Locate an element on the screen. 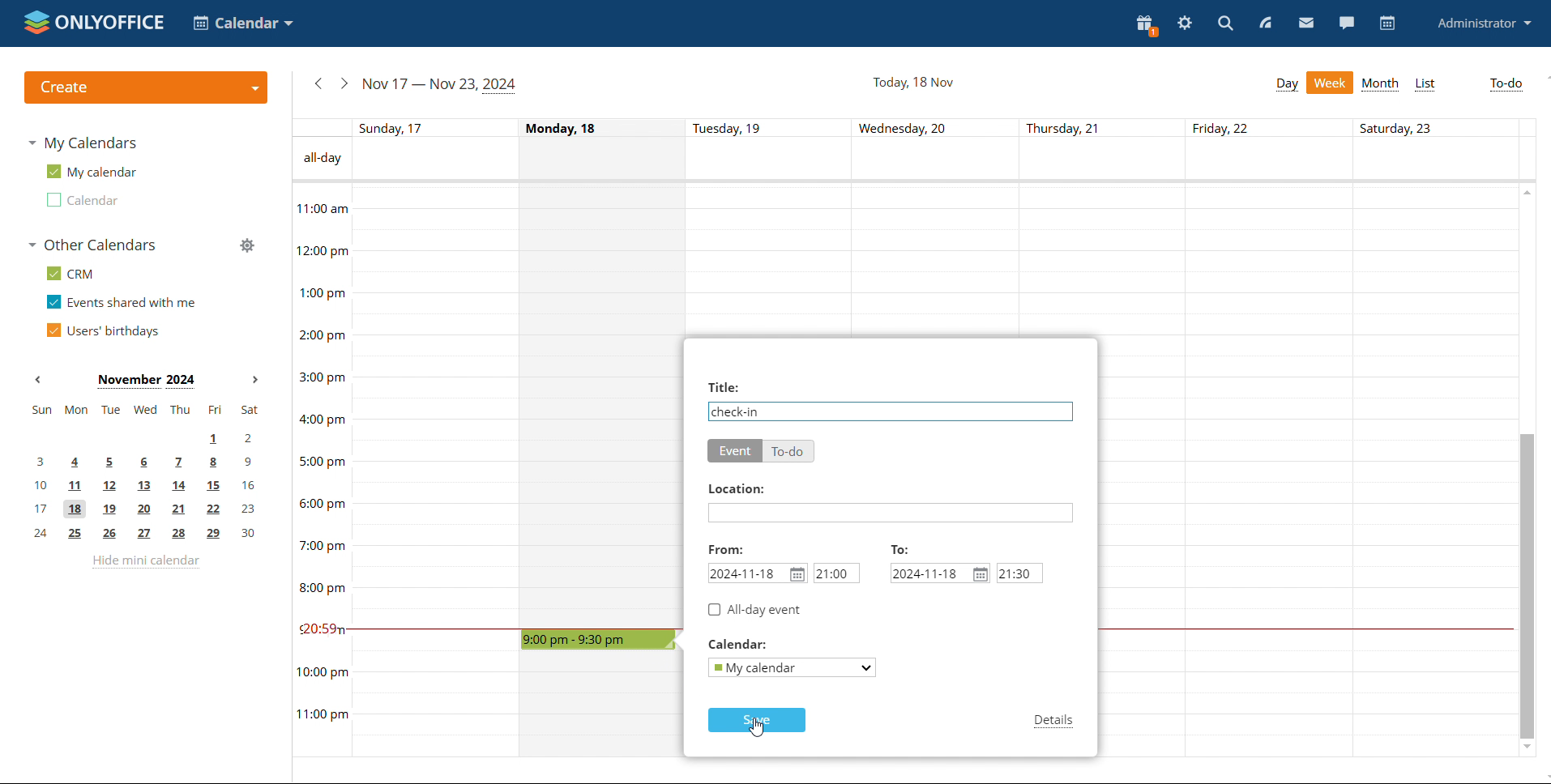 The width and height of the screenshot is (1551, 784). title is located at coordinates (724, 386).